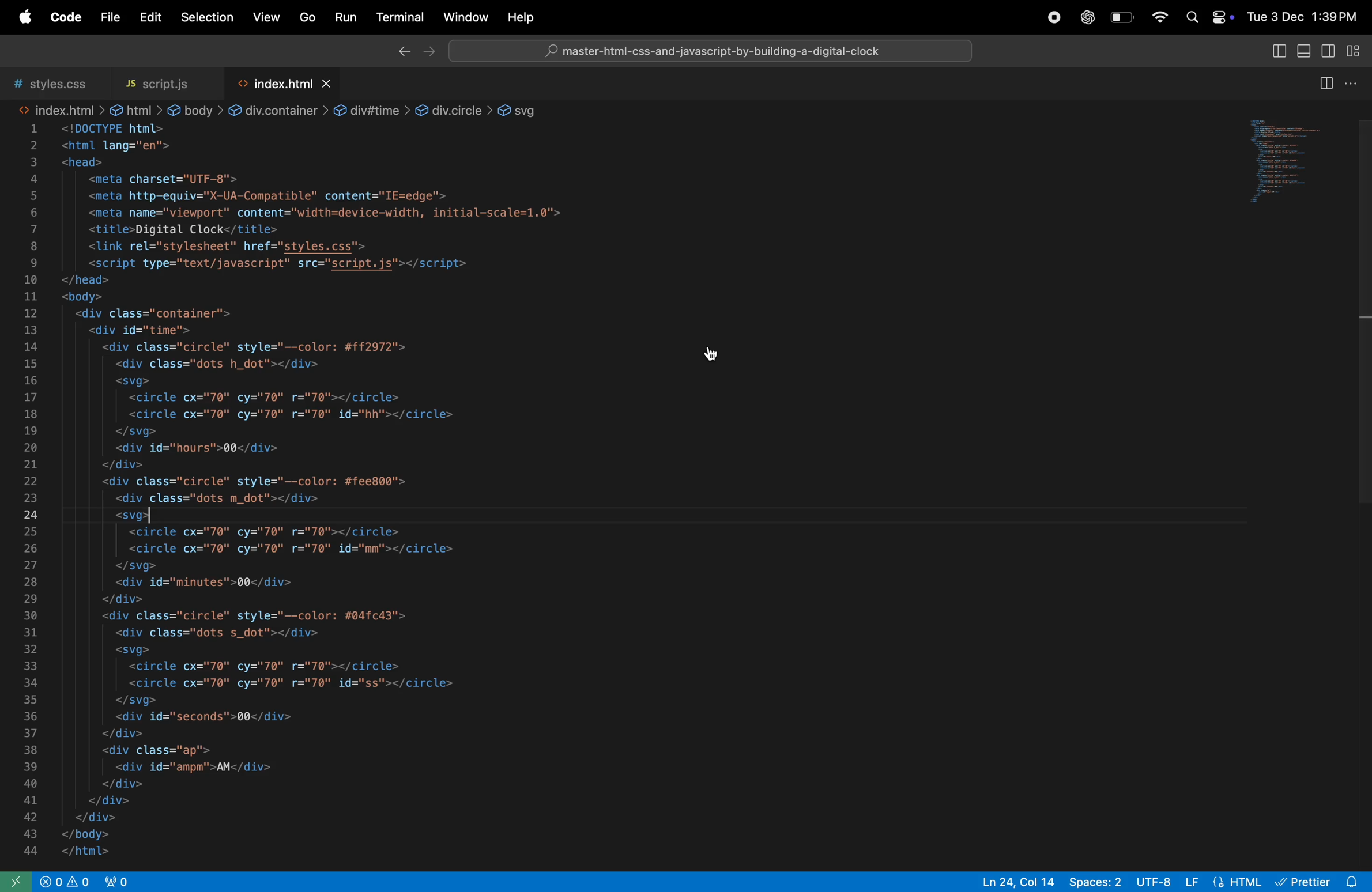  I want to click on window, so click(463, 18).